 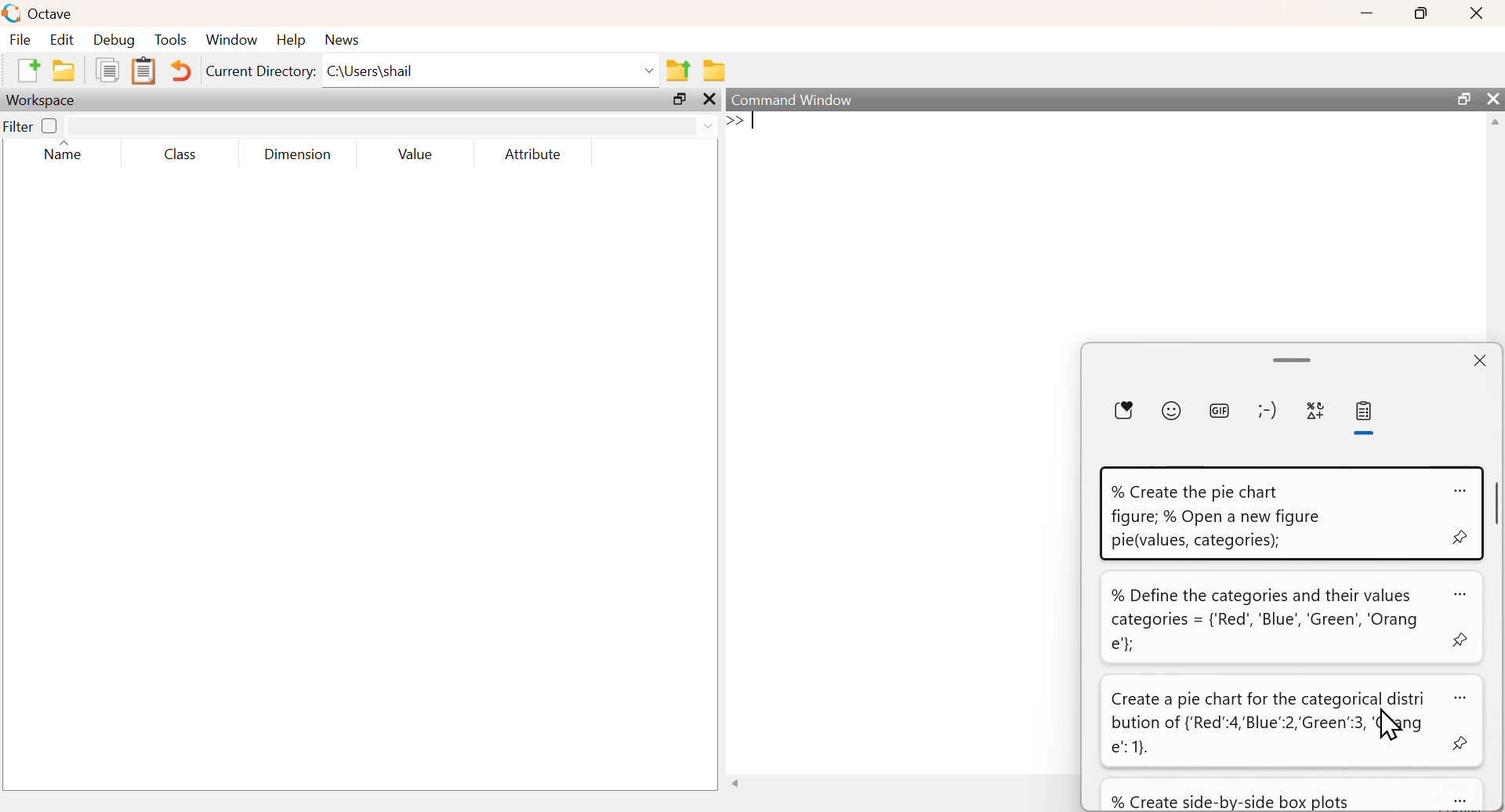 I want to click on File, so click(x=20, y=38).